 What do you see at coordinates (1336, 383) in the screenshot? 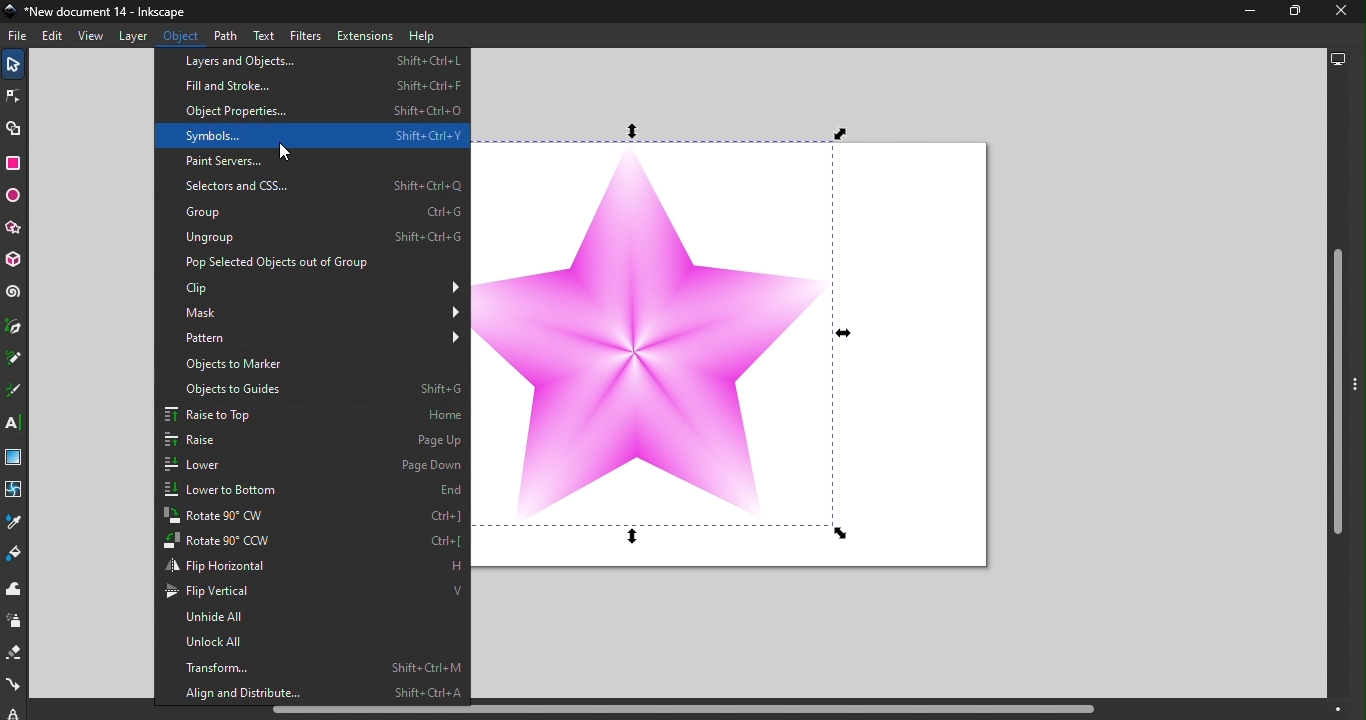
I see `Vertical scroll bar` at bounding box center [1336, 383].